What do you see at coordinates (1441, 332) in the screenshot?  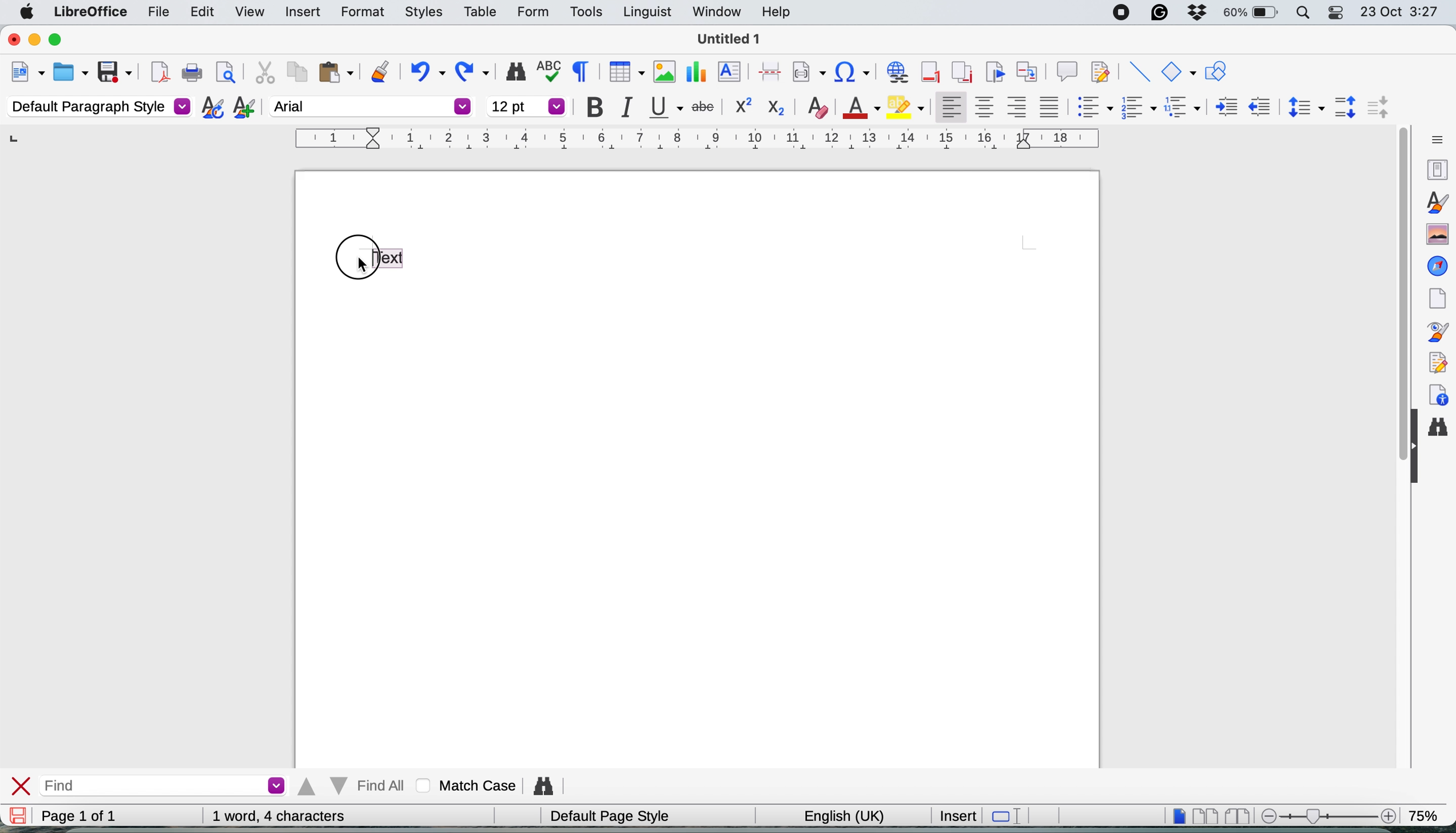 I see `style inspector` at bounding box center [1441, 332].